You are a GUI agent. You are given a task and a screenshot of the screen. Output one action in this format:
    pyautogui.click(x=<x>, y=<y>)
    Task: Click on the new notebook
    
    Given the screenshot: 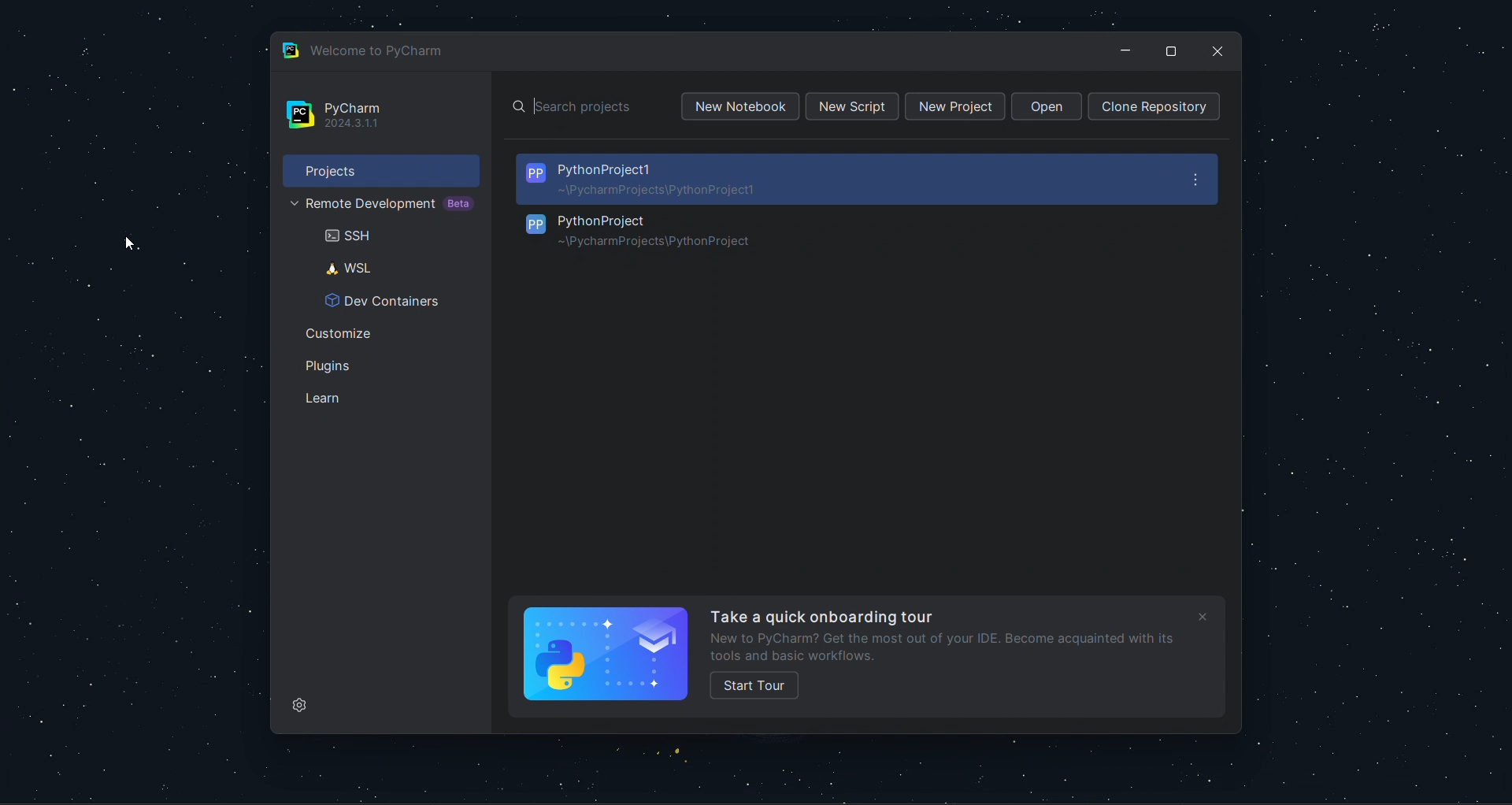 What is the action you would take?
    pyautogui.click(x=736, y=108)
    